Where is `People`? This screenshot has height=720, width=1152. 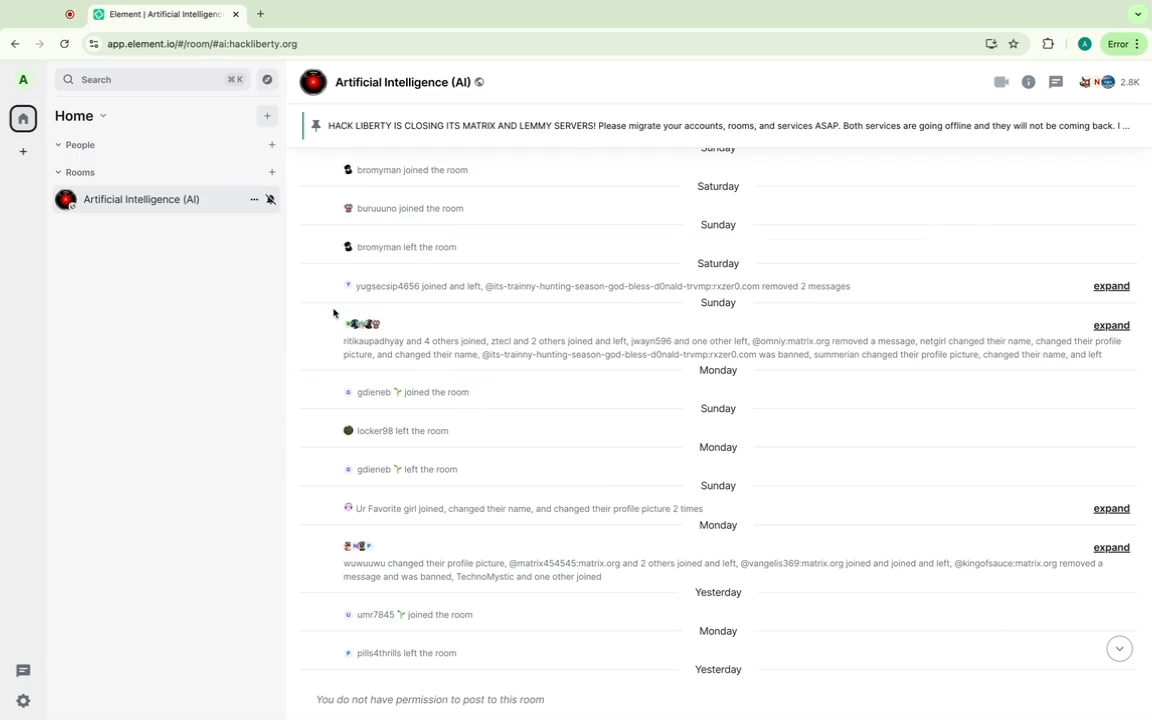
People is located at coordinates (83, 146).